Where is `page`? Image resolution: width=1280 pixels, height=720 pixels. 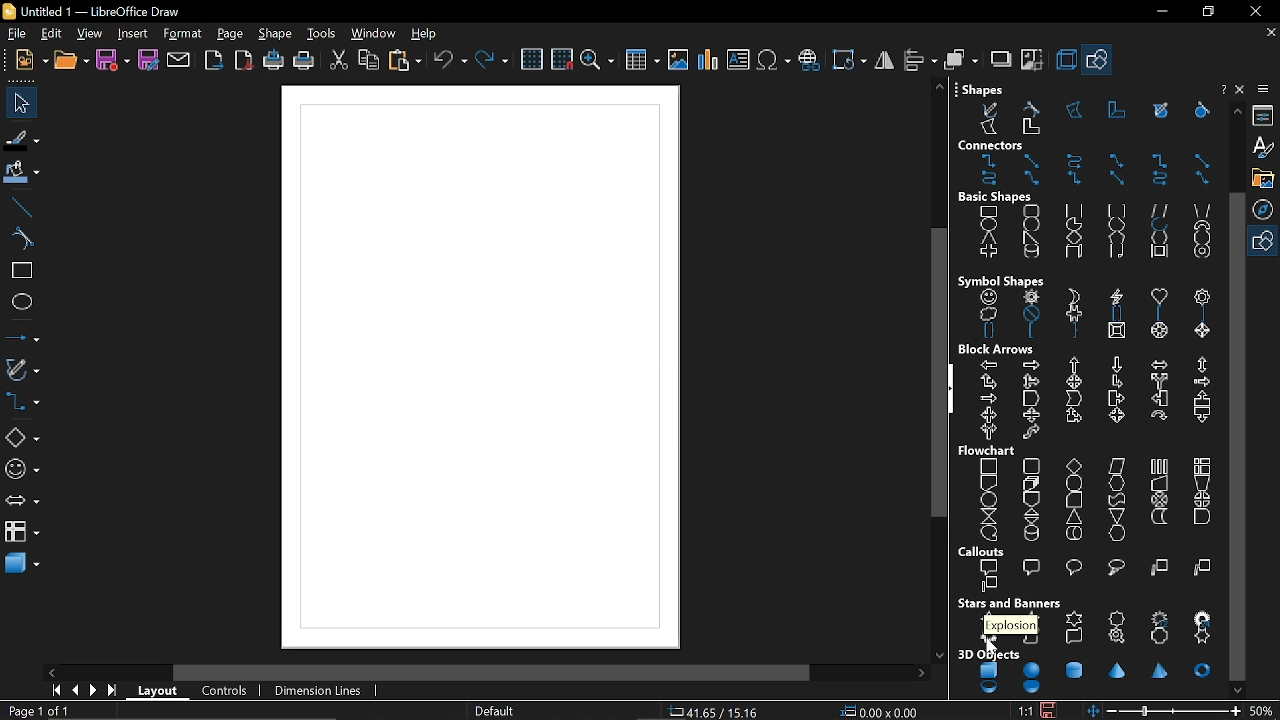 page is located at coordinates (230, 34).